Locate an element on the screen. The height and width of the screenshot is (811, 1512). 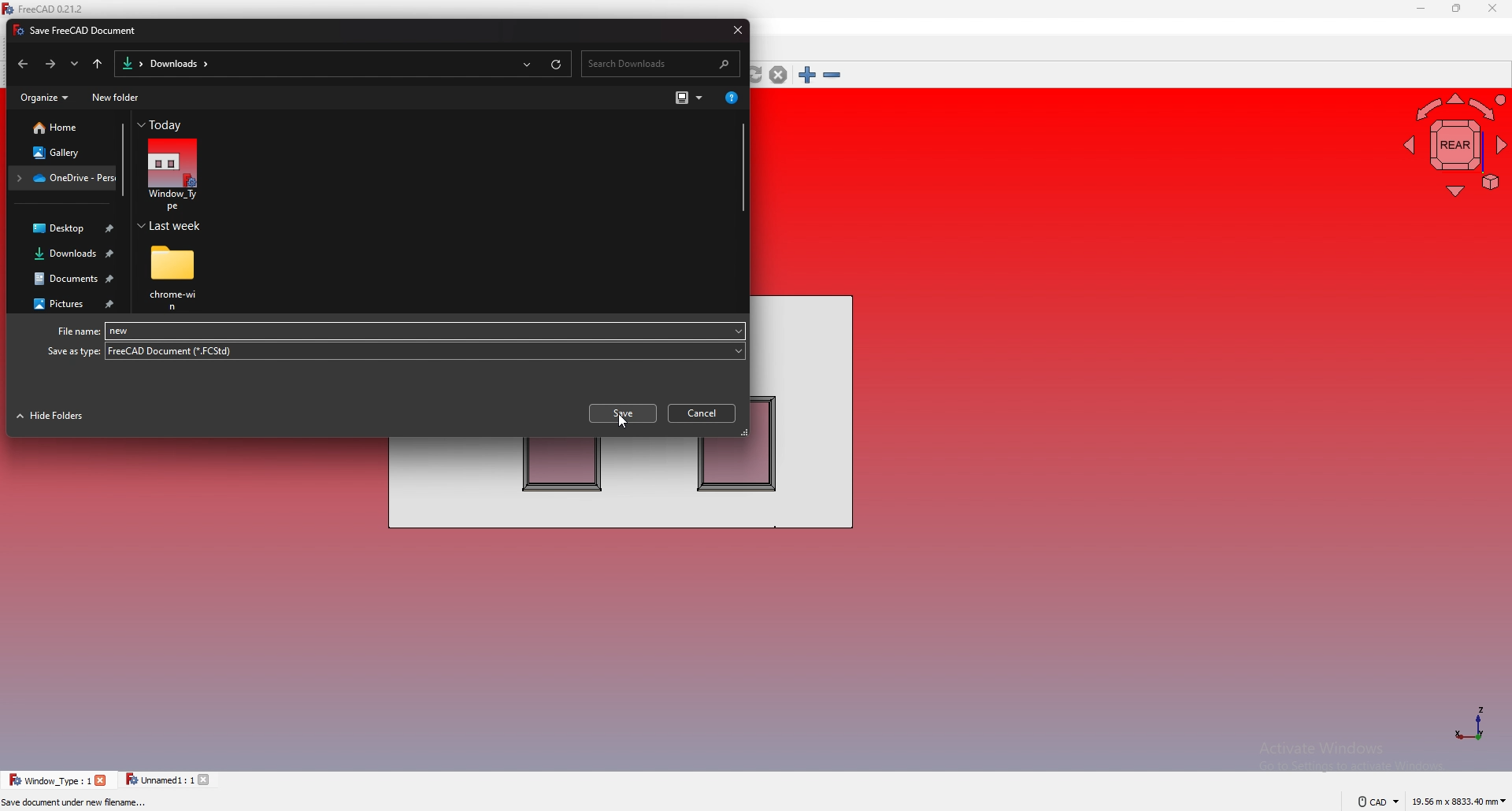
gallery is located at coordinates (62, 153).